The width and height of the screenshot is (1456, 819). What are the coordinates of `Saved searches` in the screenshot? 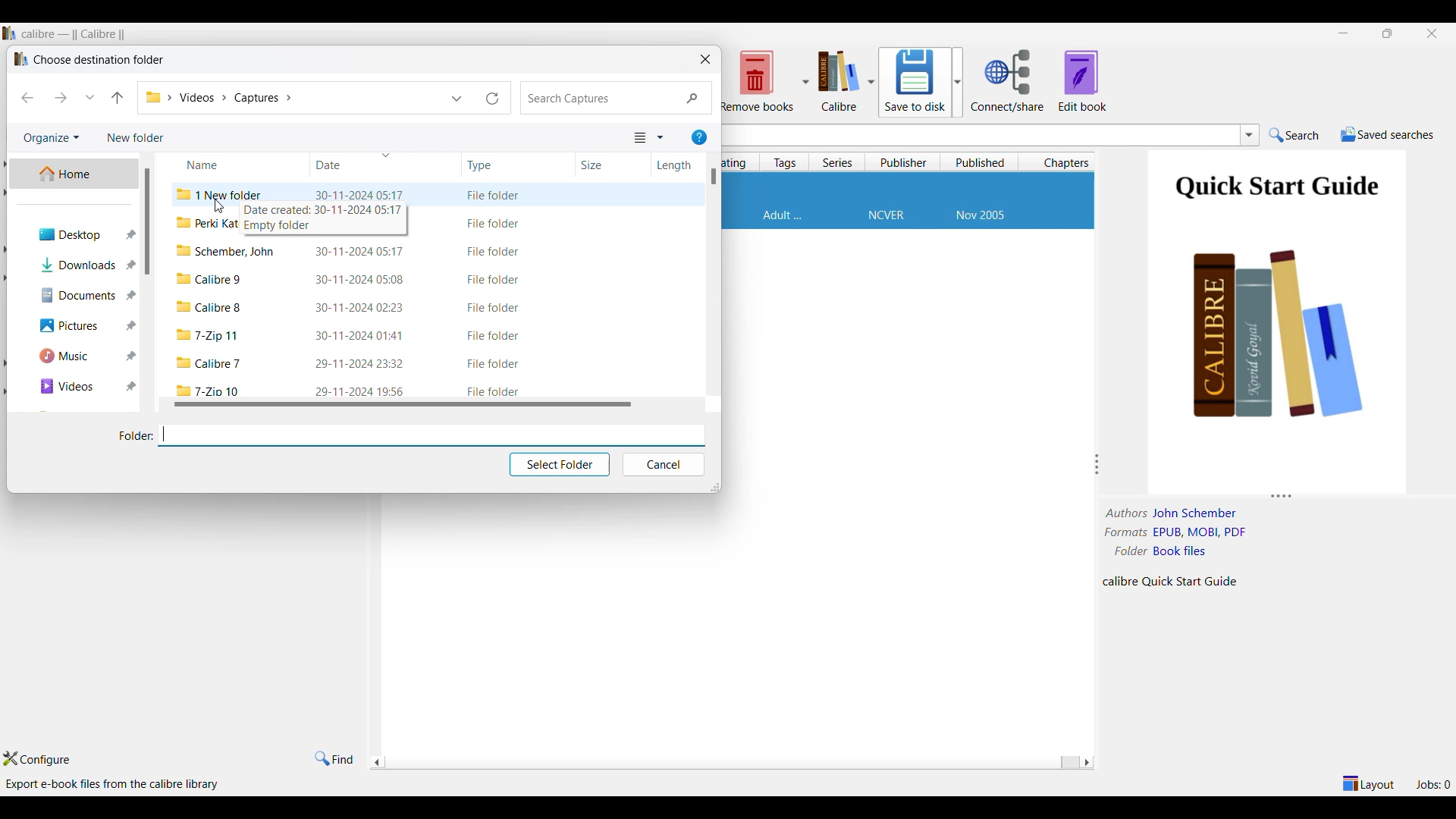 It's located at (1388, 134).